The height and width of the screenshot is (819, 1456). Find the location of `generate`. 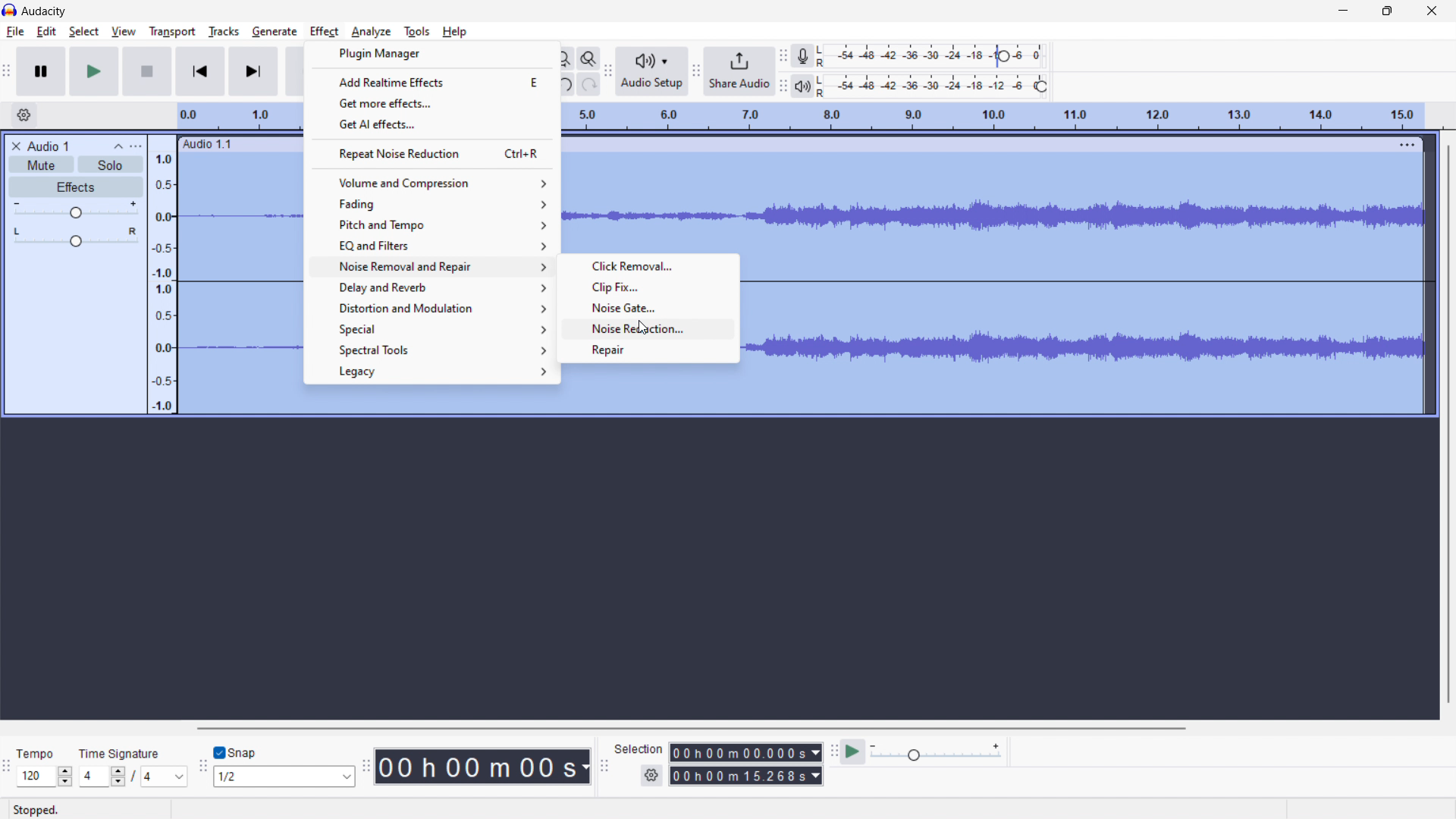

generate is located at coordinates (275, 32).